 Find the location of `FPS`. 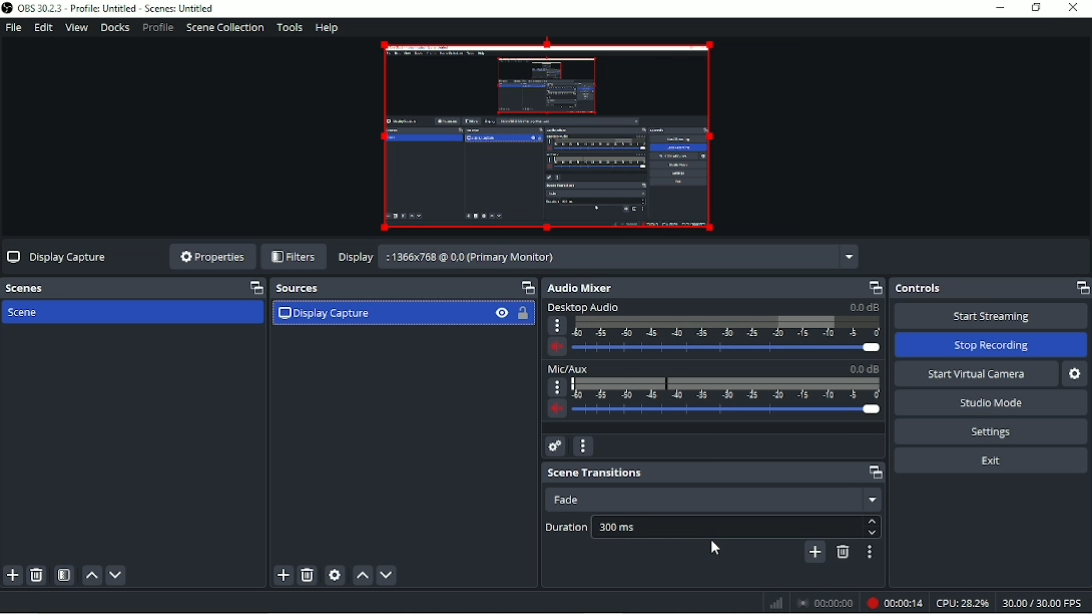

FPS is located at coordinates (1044, 604).